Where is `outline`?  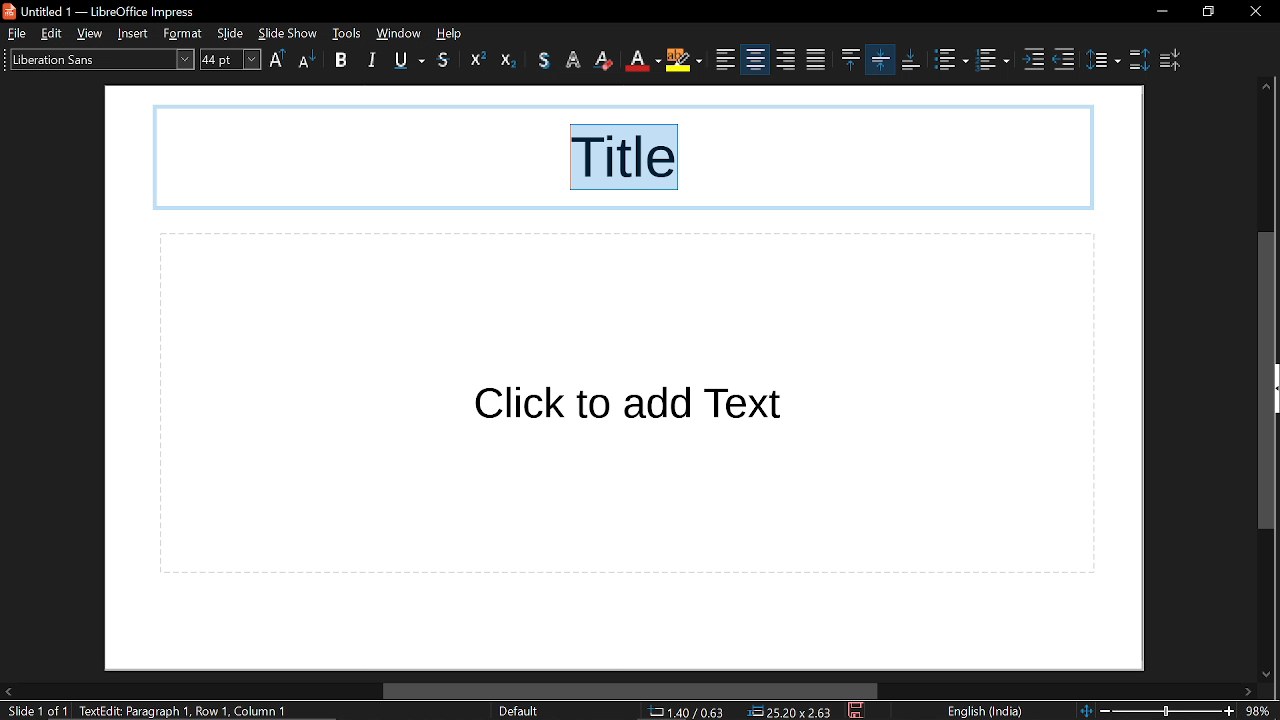
outline is located at coordinates (546, 60).